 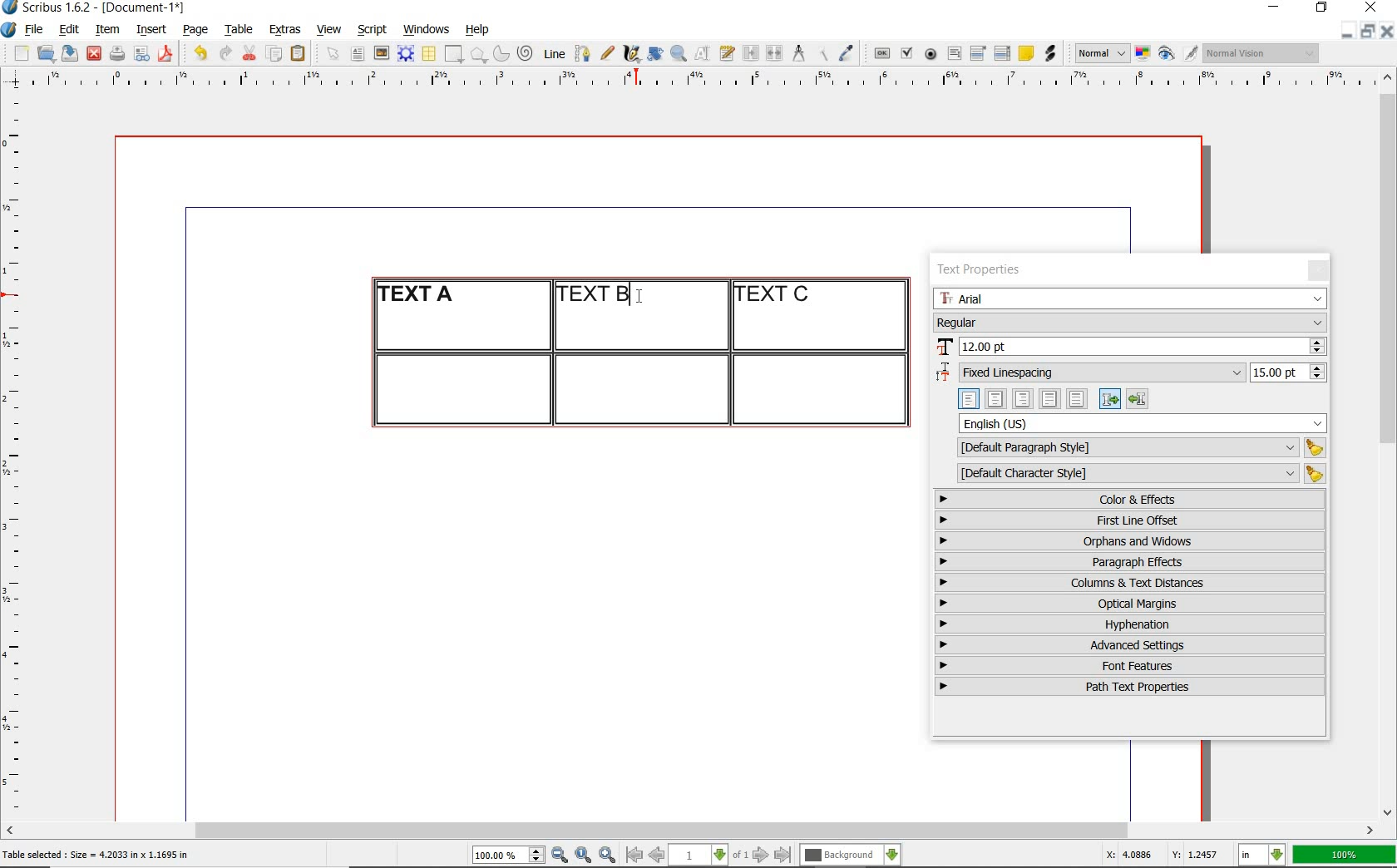 What do you see at coordinates (1144, 55) in the screenshot?
I see `toggle color management` at bounding box center [1144, 55].